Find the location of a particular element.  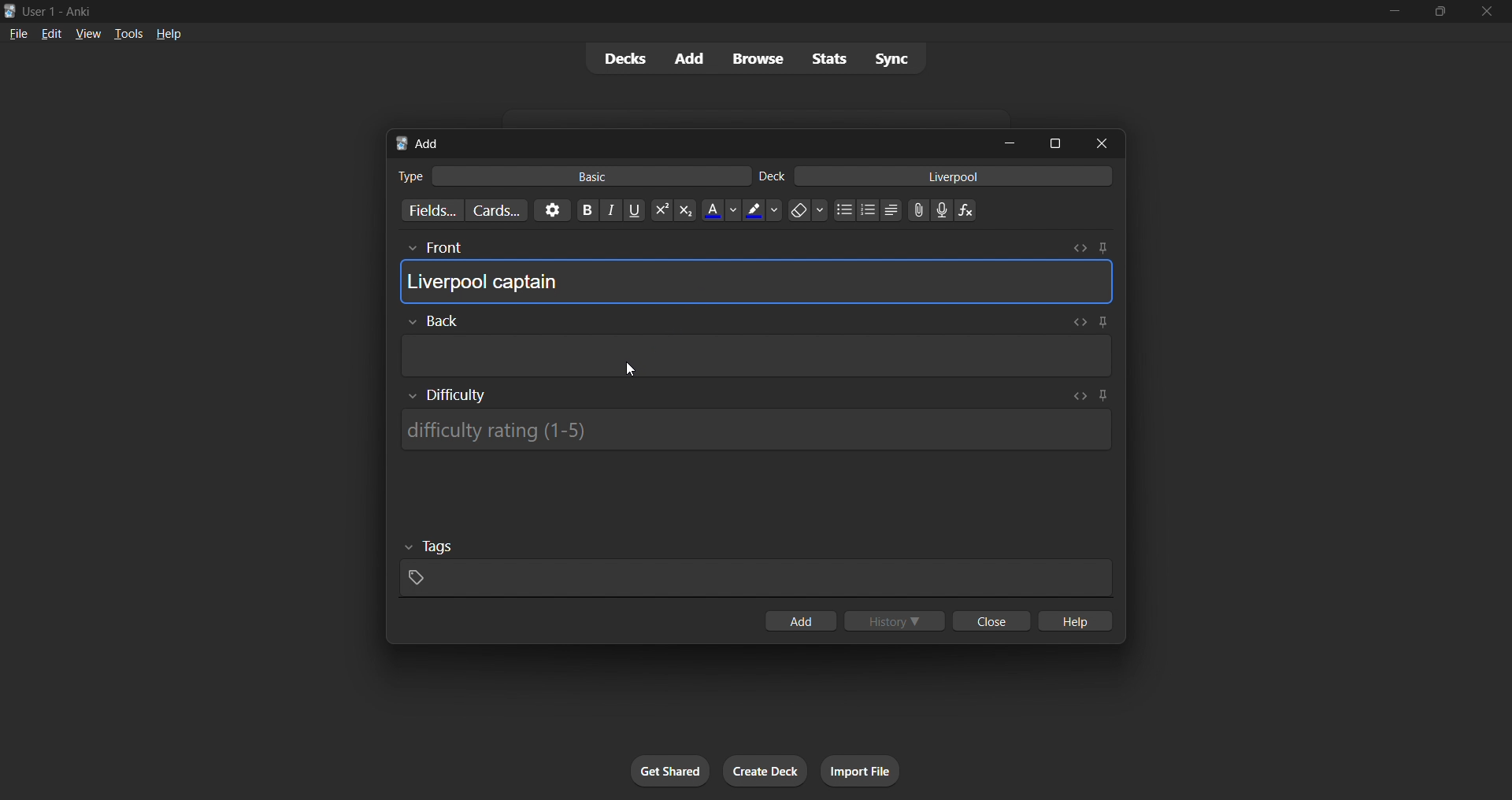

Subscript is located at coordinates (686, 210).